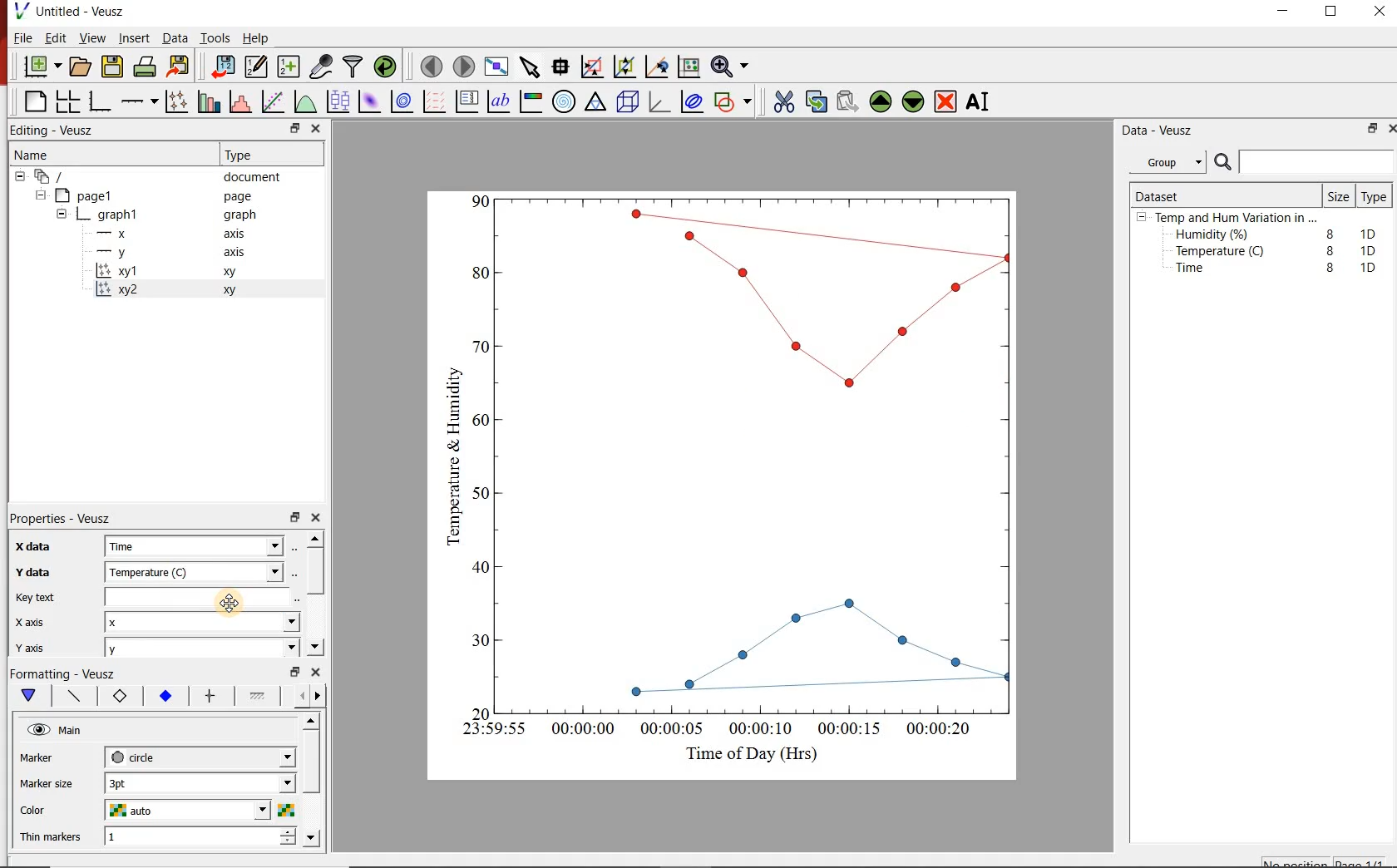 Image resolution: width=1397 pixels, height=868 pixels. What do you see at coordinates (1327, 231) in the screenshot?
I see `8` at bounding box center [1327, 231].